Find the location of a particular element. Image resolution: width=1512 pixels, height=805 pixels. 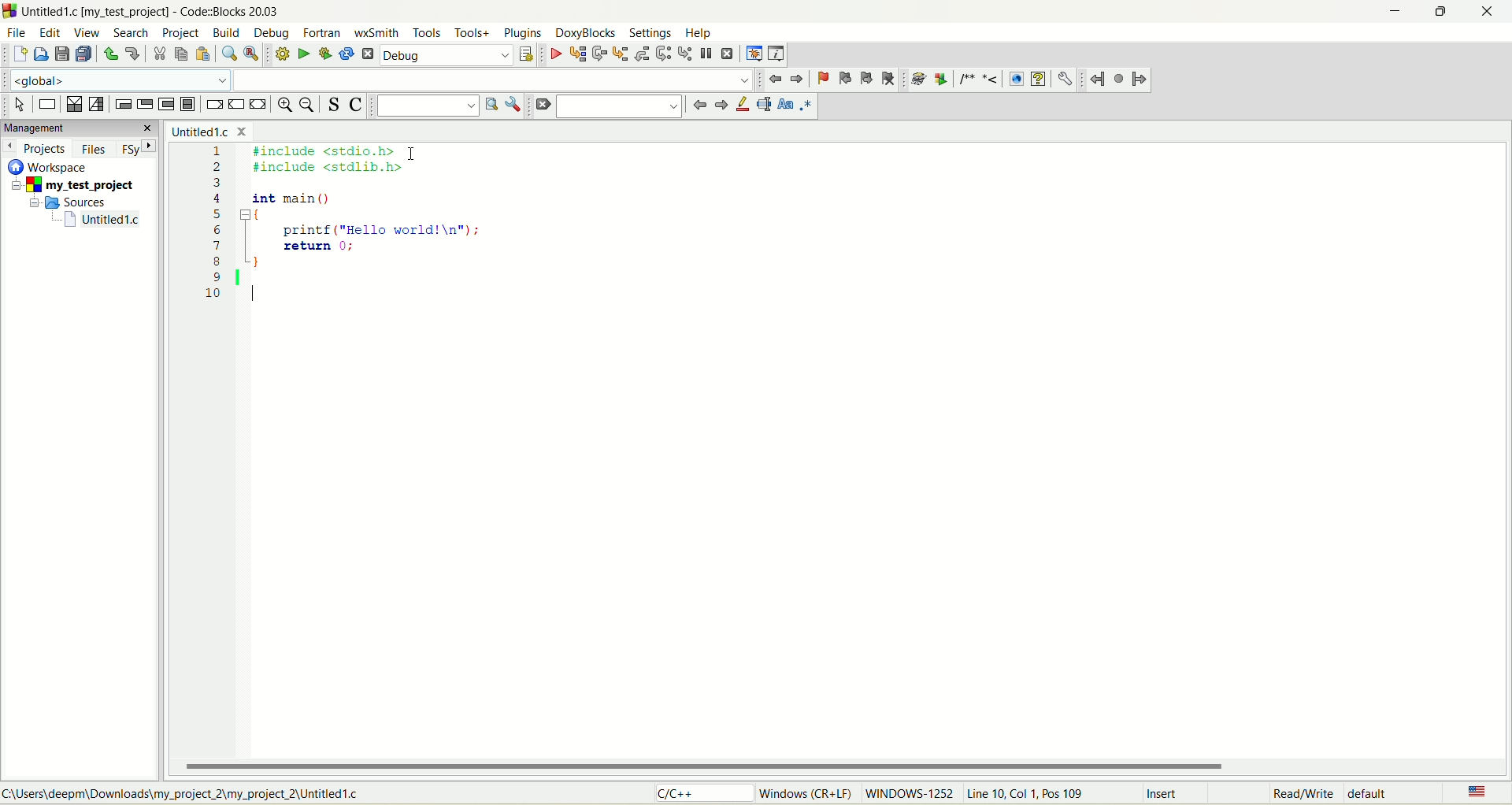

match case is located at coordinates (784, 107).